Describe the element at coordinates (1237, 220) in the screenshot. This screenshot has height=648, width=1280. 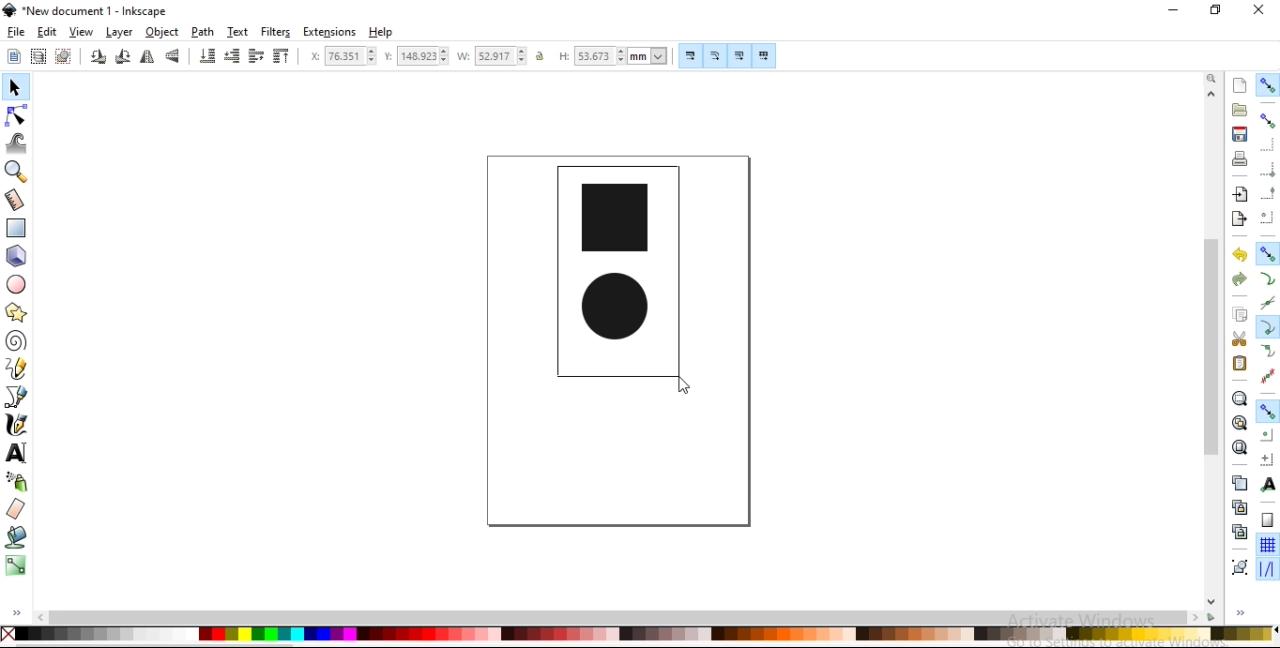
I see `export a document` at that location.